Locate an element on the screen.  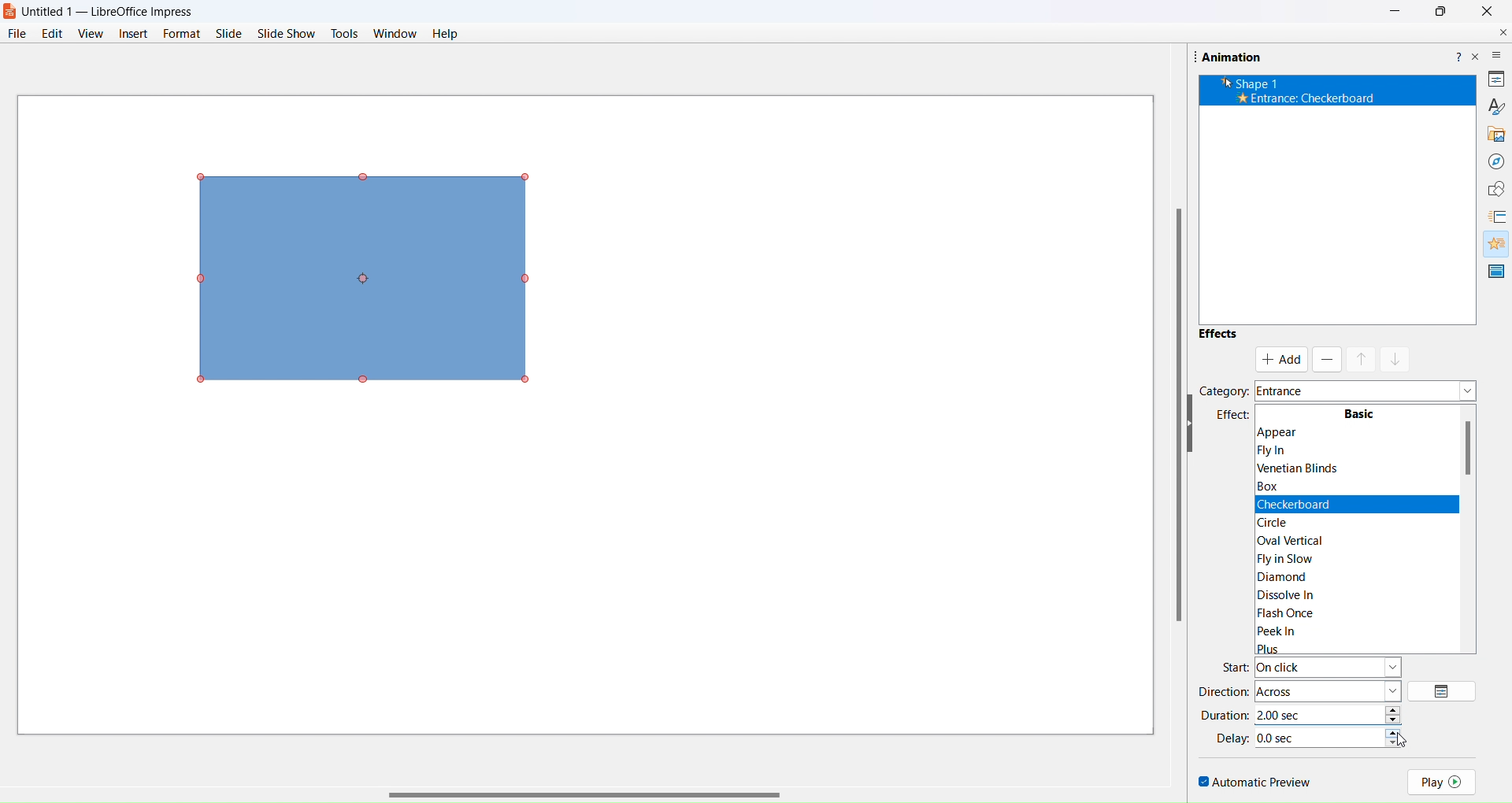
Plus is located at coordinates (1324, 646).